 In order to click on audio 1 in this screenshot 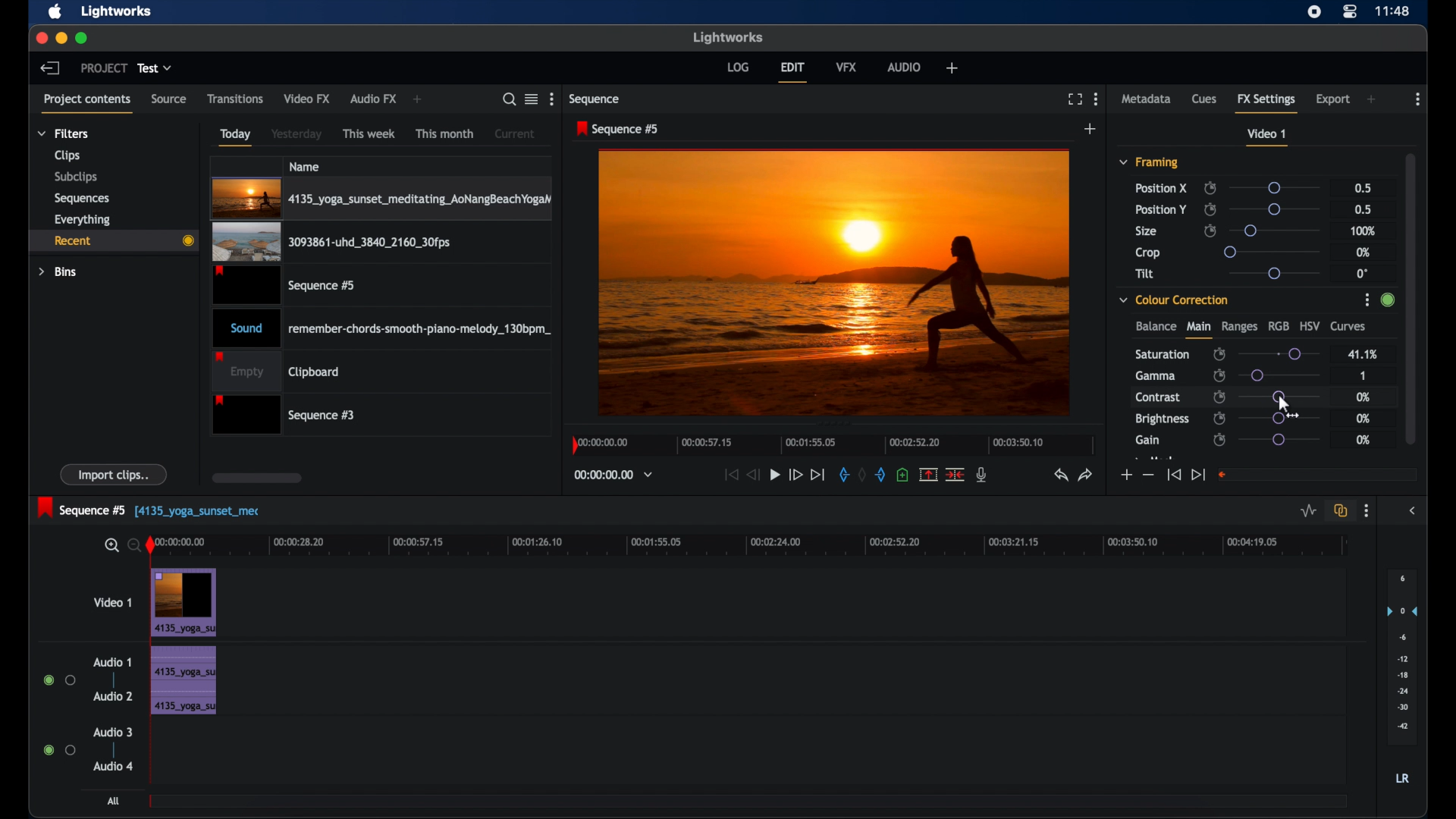, I will do `click(112, 662)`.